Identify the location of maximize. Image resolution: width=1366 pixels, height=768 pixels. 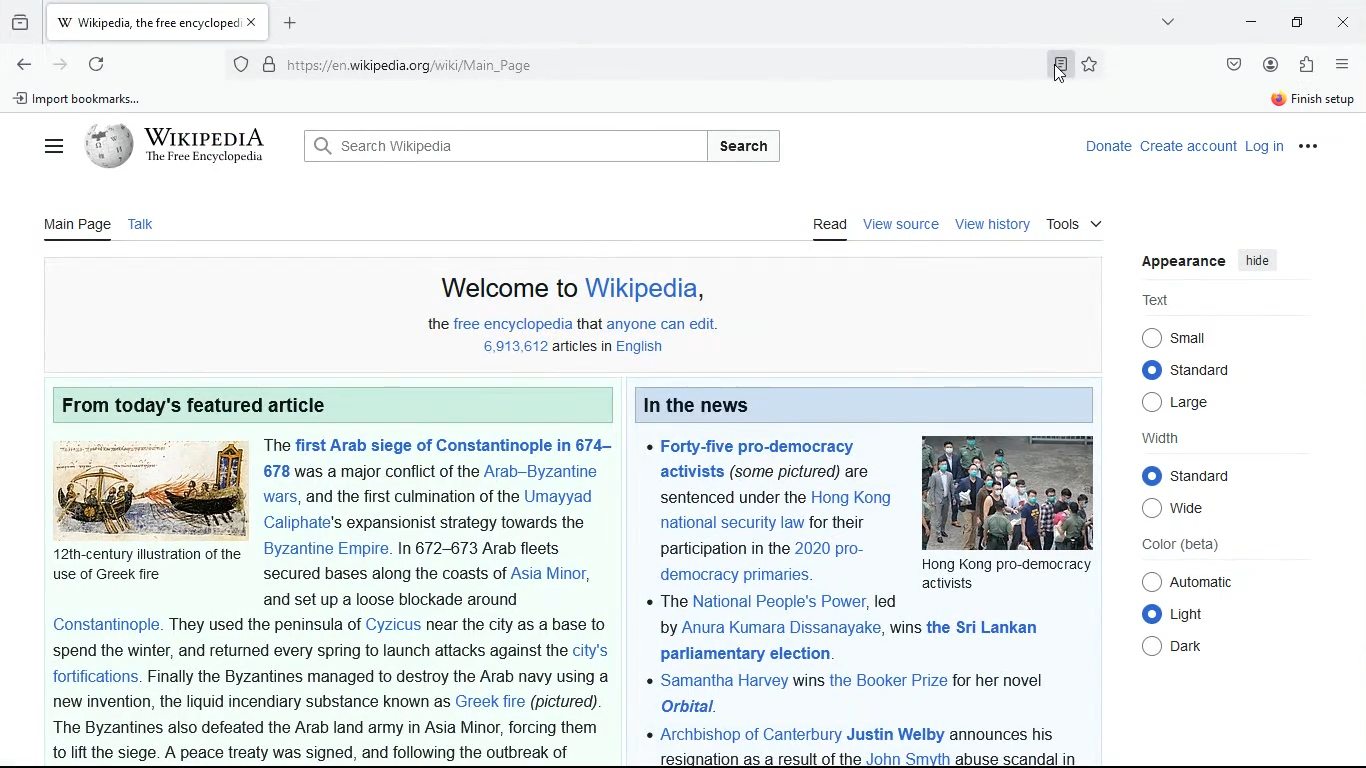
(1297, 21).